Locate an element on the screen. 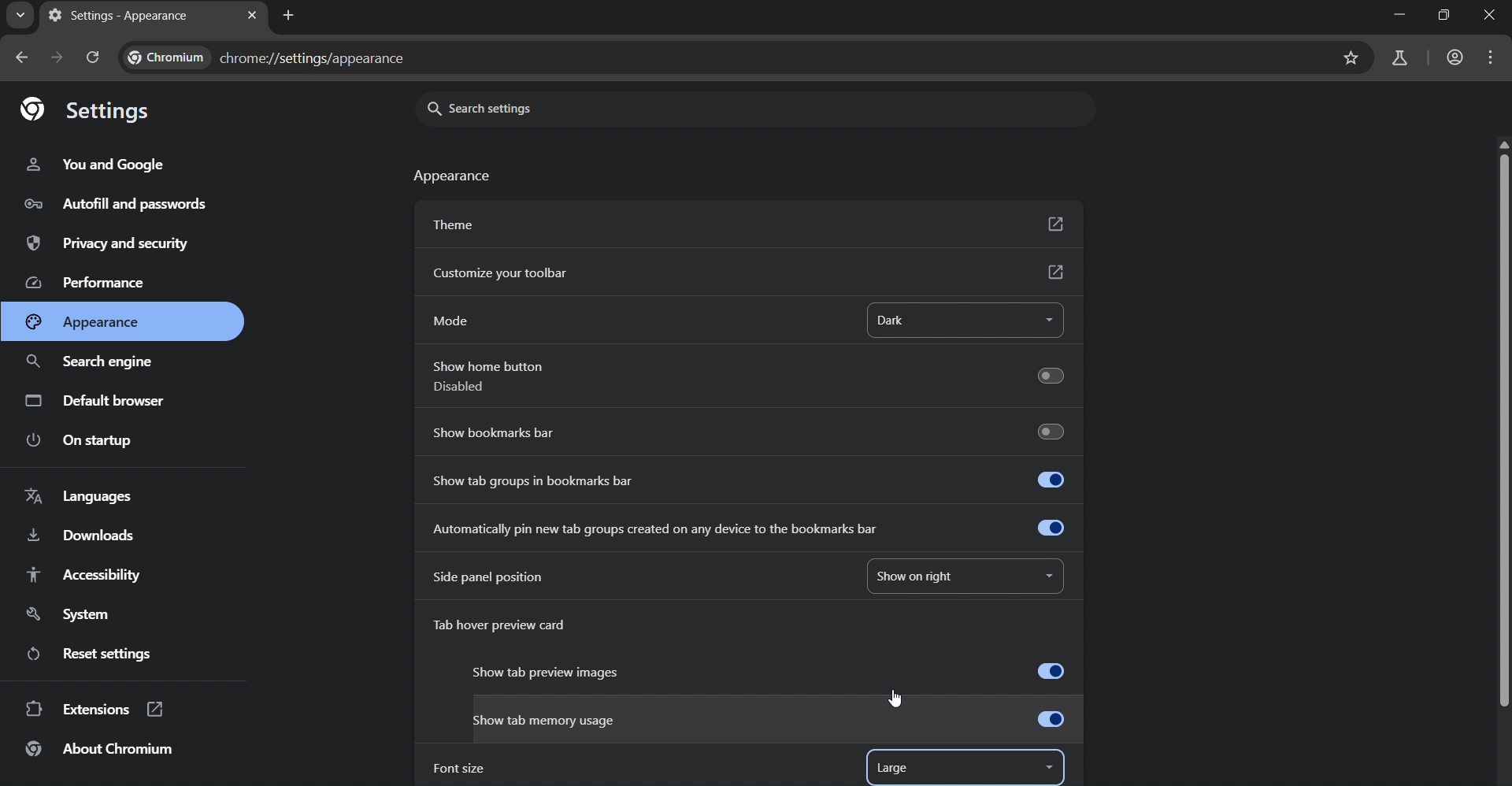 This screenshot has width=1512, height=786. show tab memory usage is located at coordinates (769, 721).